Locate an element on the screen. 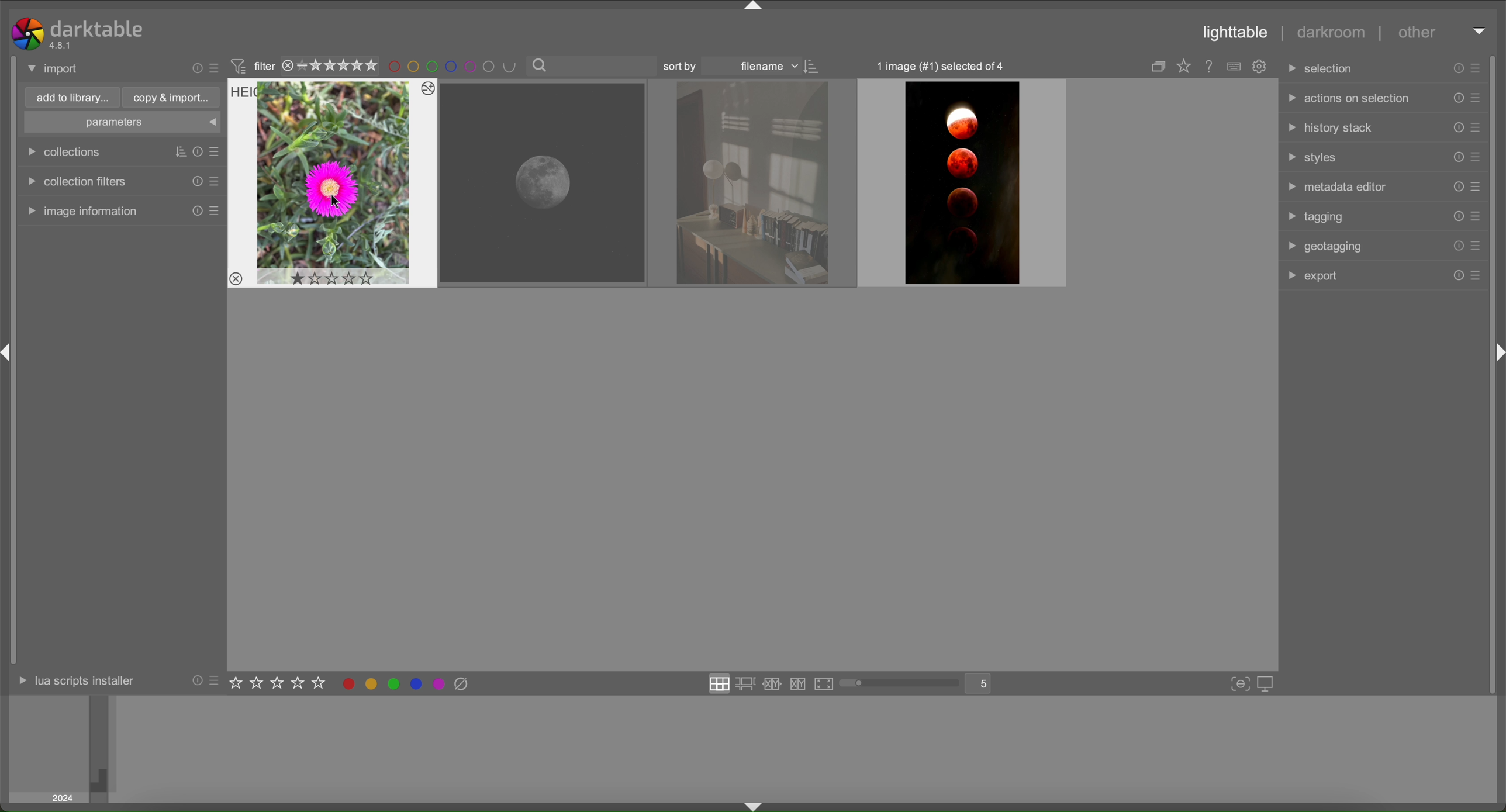 The width and height of the screenshot is (1506, 812). image is located at coordinates (962, 184).